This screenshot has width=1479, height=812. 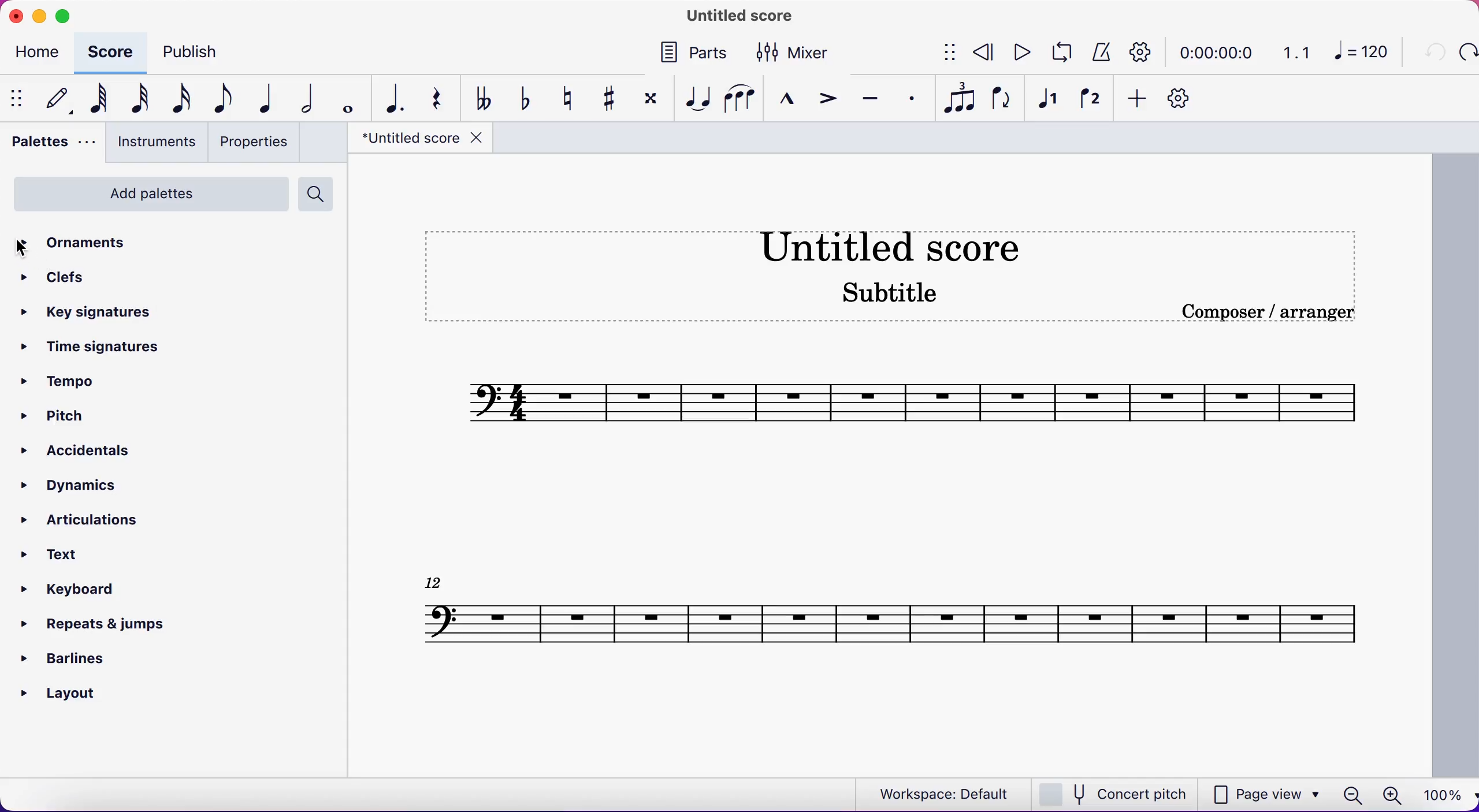 What do you see at coordinates (72, 591) in the screenshot?
I see `keyboard` at bounding box center [72, 591].